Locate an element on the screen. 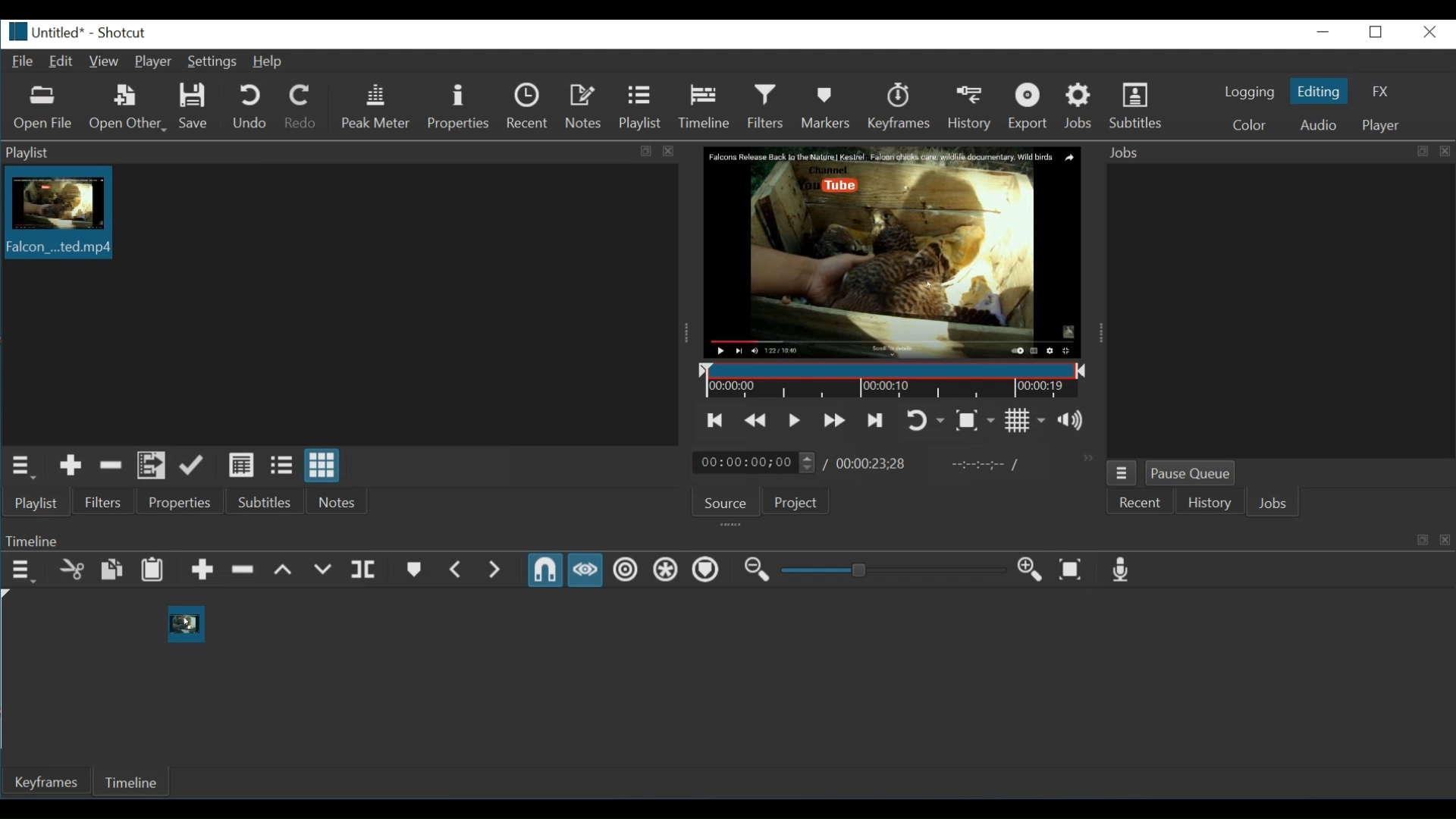 Image resolution: width=1456 pixels, height=819 pixels. Restore is located at coordinates (1377, 32).